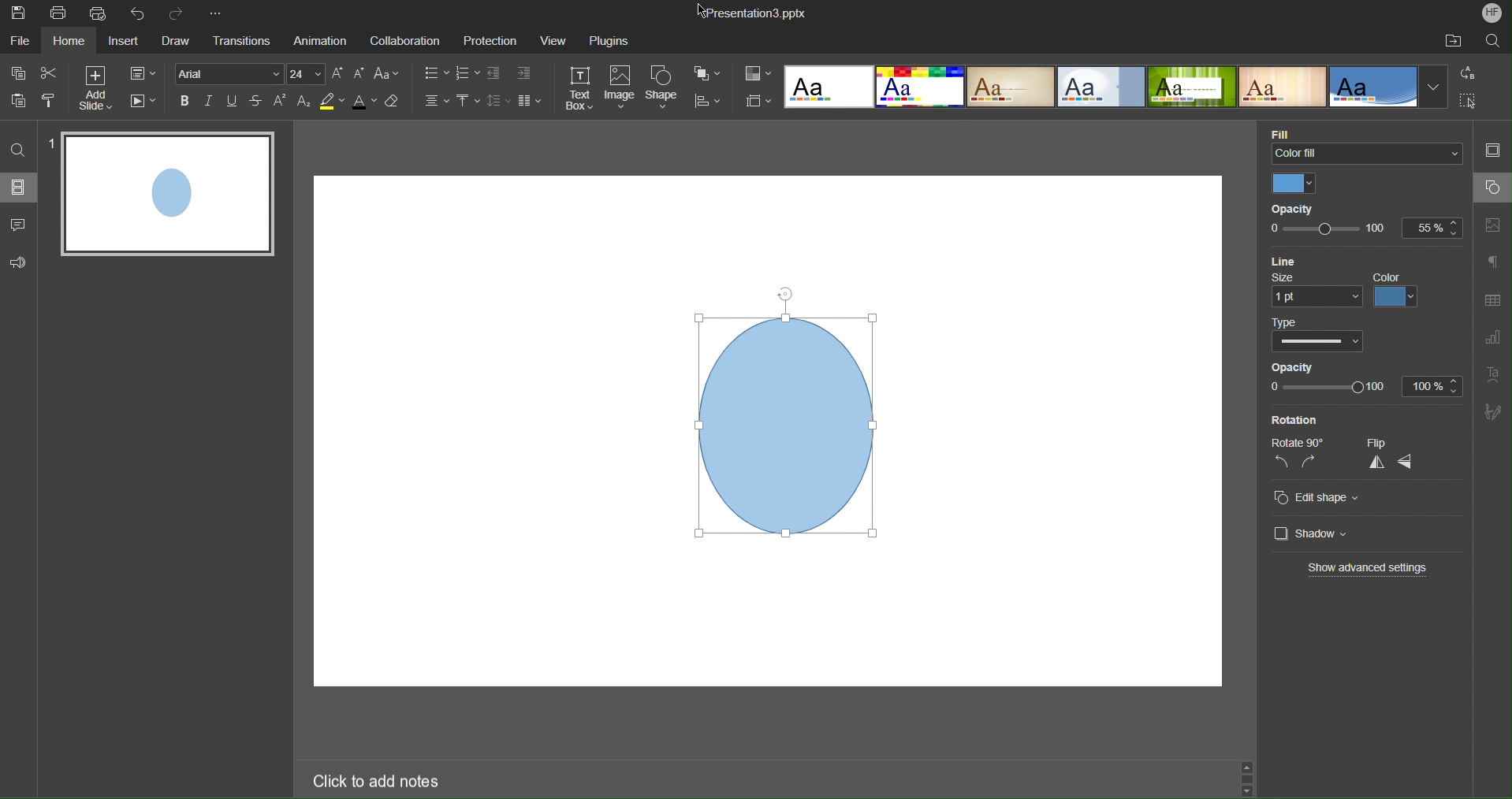 This screenshot has width=1512, height=799. Describe the element at coordinates (364, 104) in the screenshot. I see `Text Color` at that location.